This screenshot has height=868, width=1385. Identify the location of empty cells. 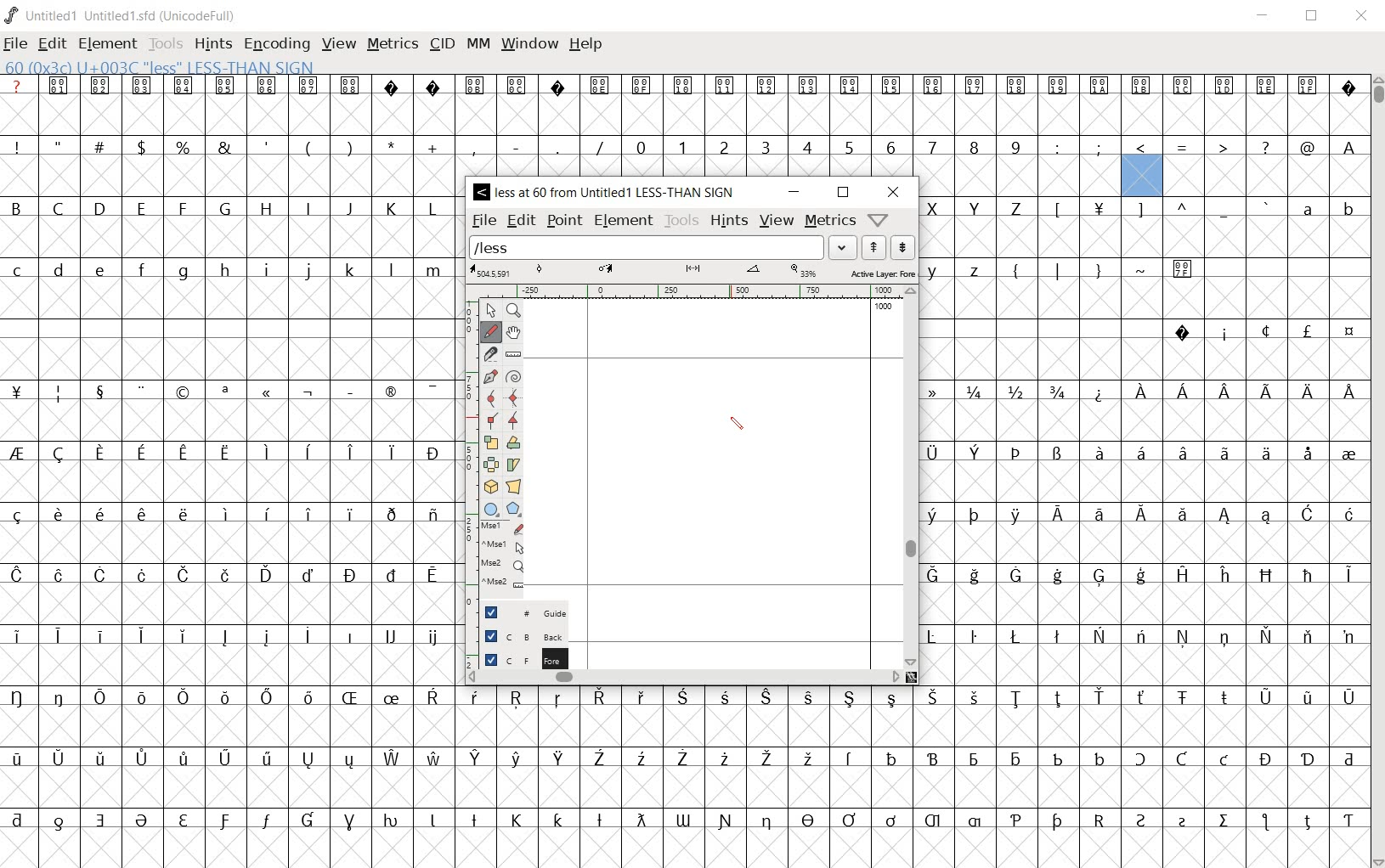
(1142, 237).